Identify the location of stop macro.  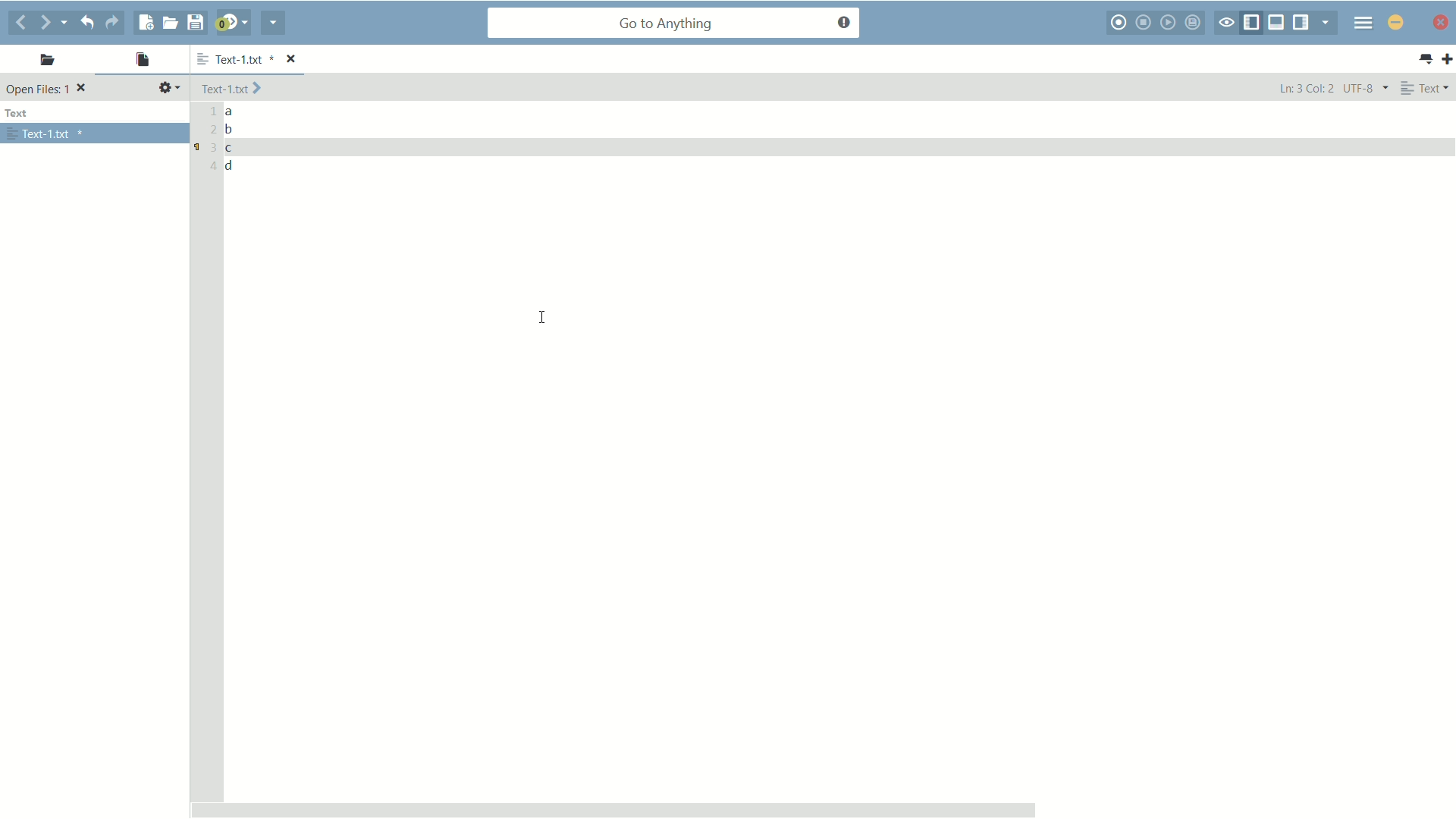
(1146, 22).